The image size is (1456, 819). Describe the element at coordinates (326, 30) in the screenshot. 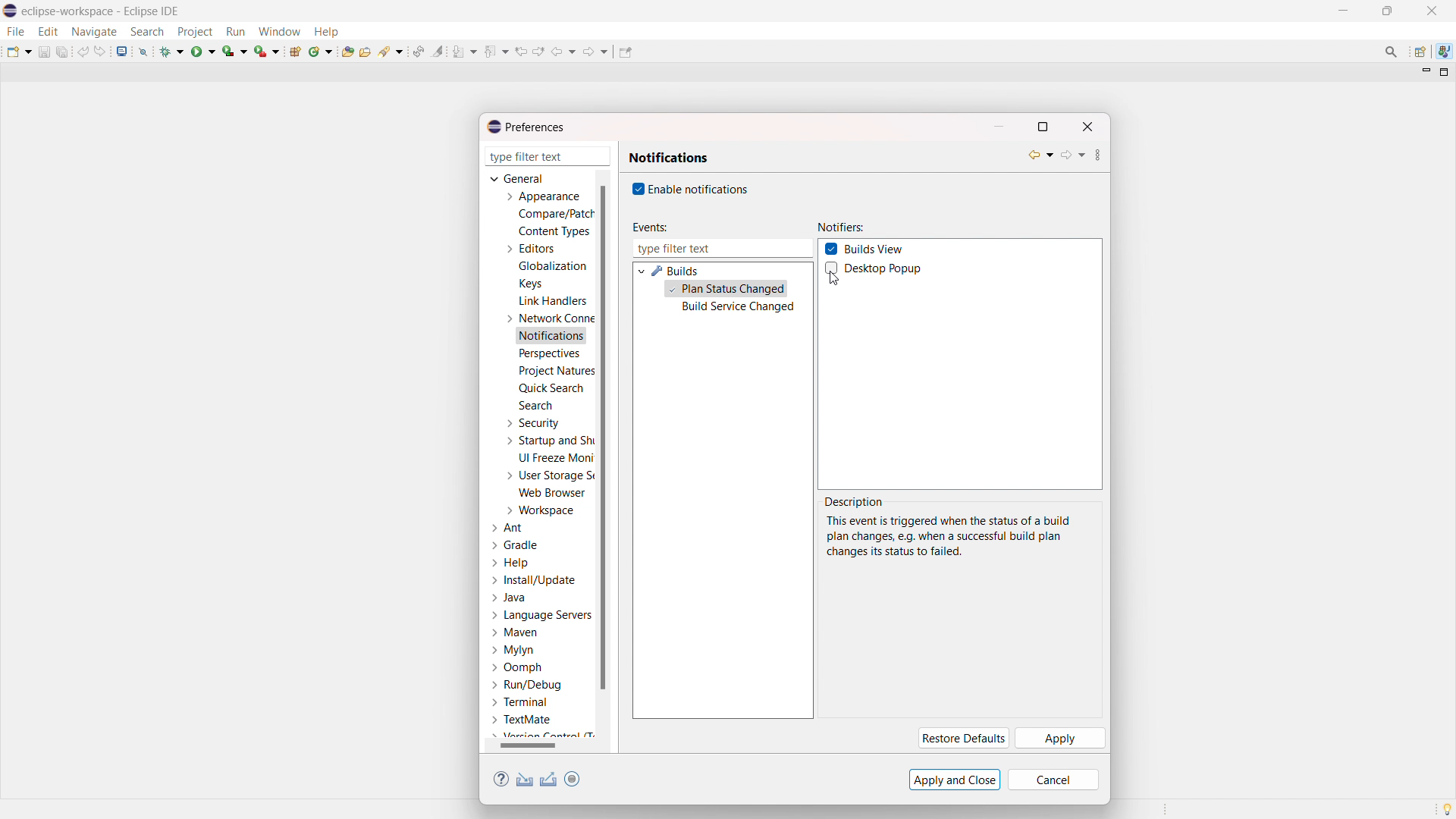

I see `help` at that location.